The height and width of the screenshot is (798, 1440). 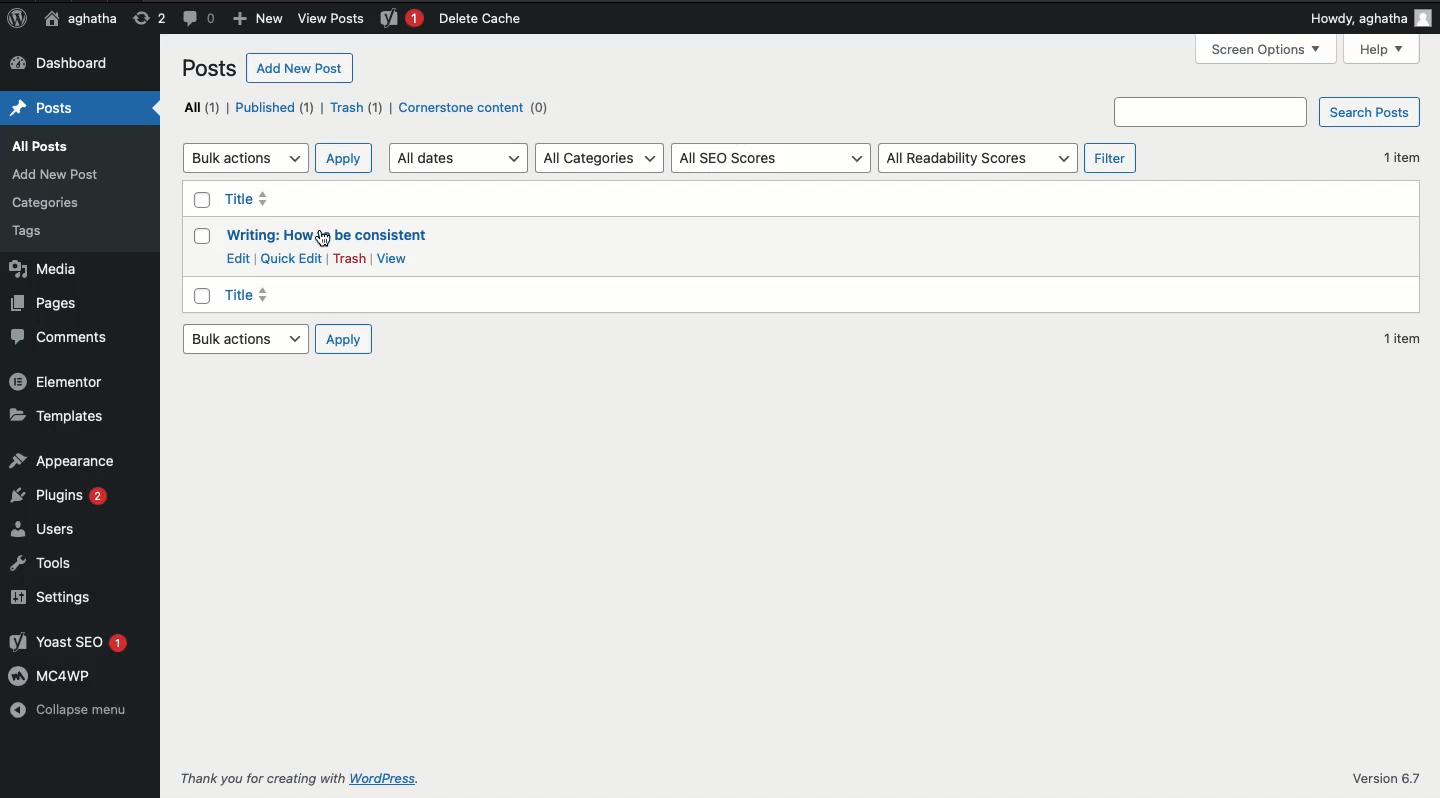 I want to click on Apply, so click(x=345, y=157).